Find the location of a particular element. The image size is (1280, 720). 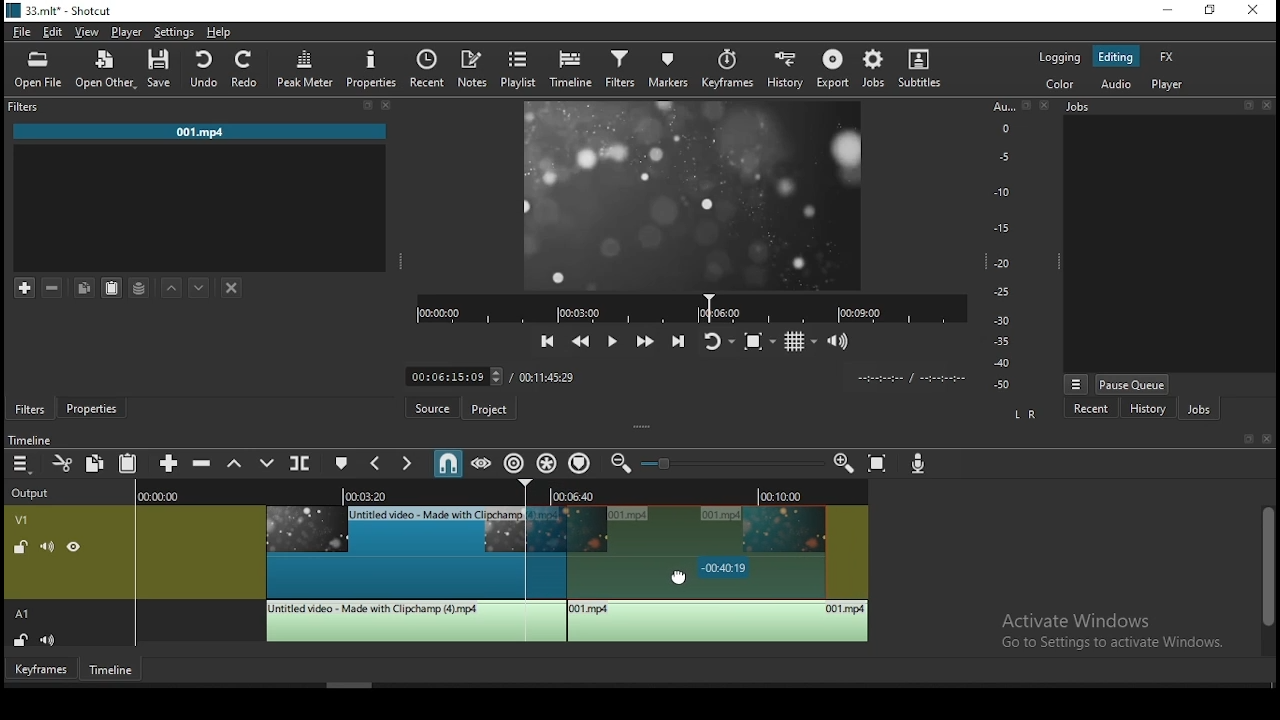

filters is located at coordinates (29, 408).